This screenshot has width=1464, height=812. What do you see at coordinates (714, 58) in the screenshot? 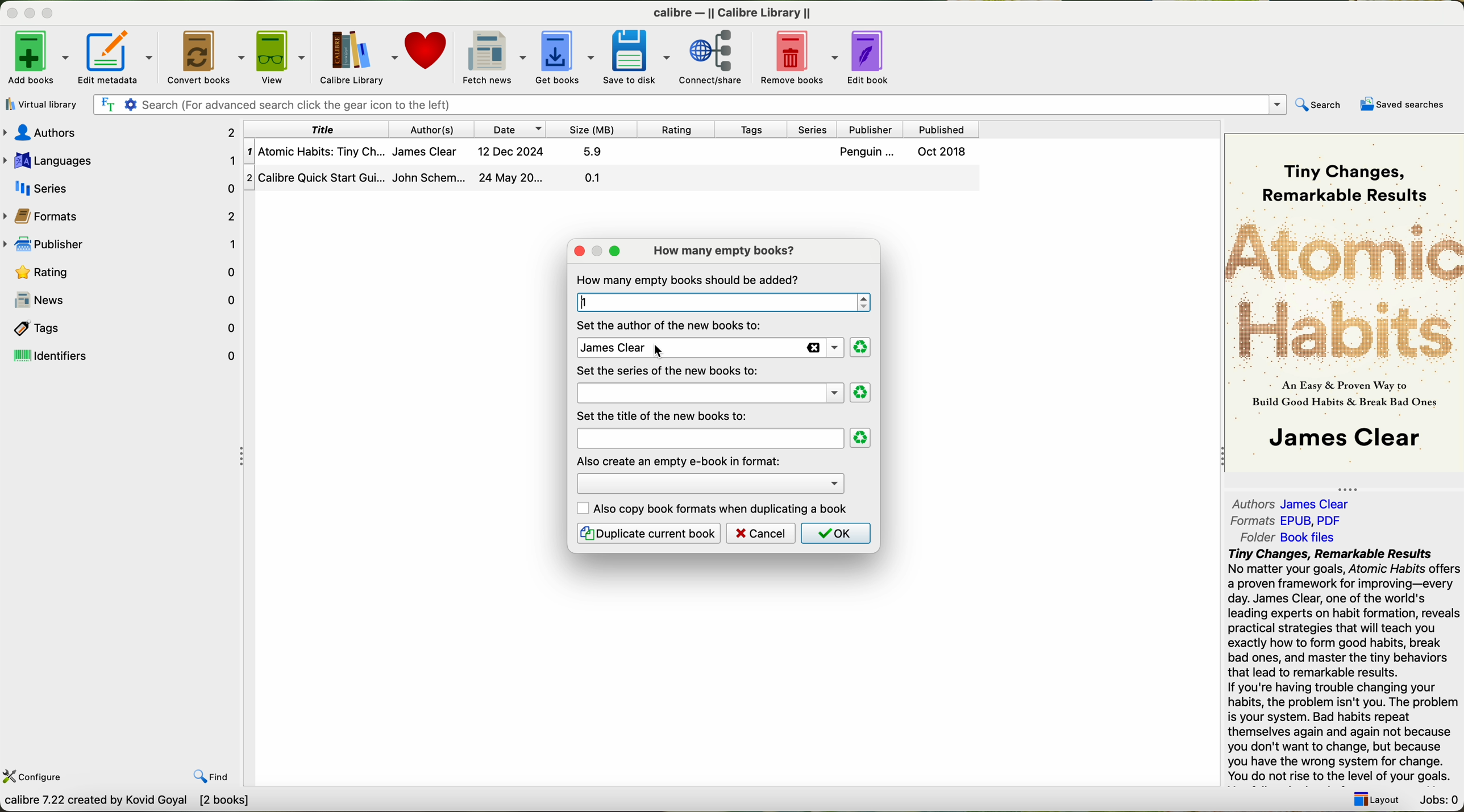
I see `connect/share` at bounding box center [714, 58].